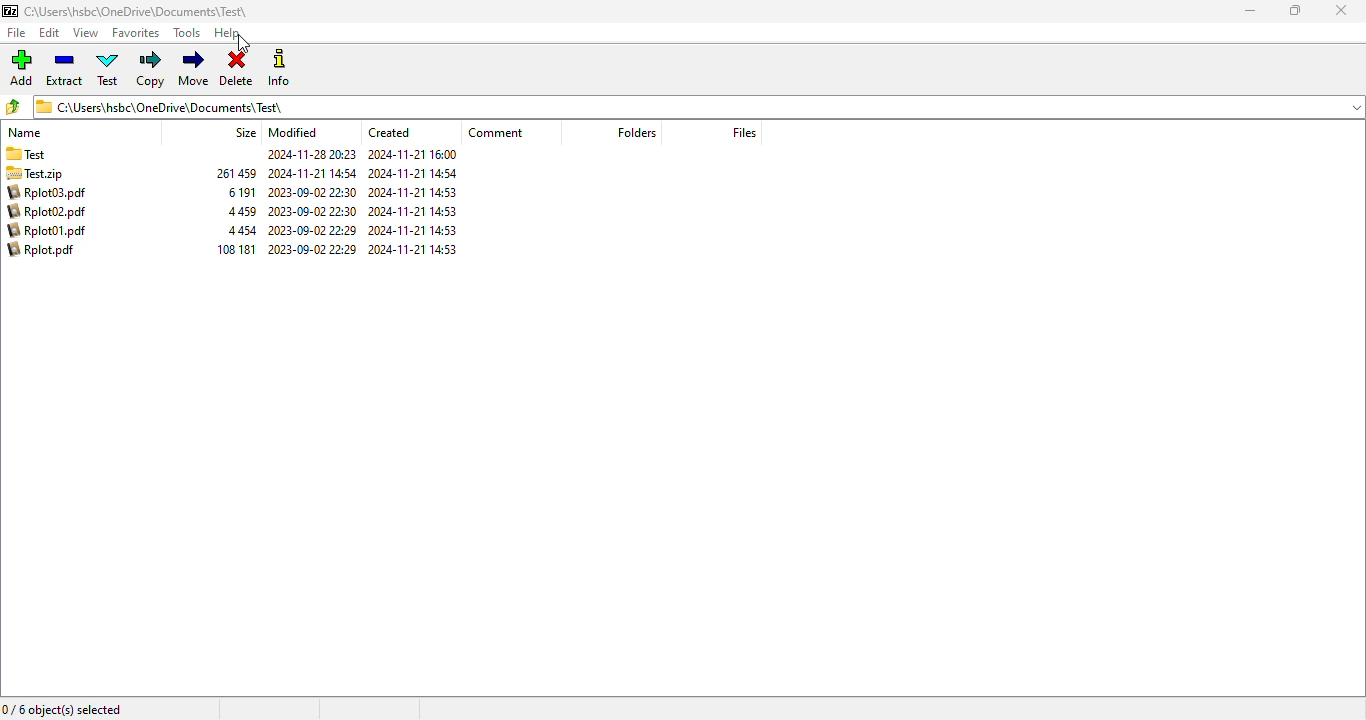 This screenshot has width=1366, height=720. What do you see at coordinates (314, 211) in the screenshot?
I see `2023-09-02 22:30` at bounding box center [314, 211].